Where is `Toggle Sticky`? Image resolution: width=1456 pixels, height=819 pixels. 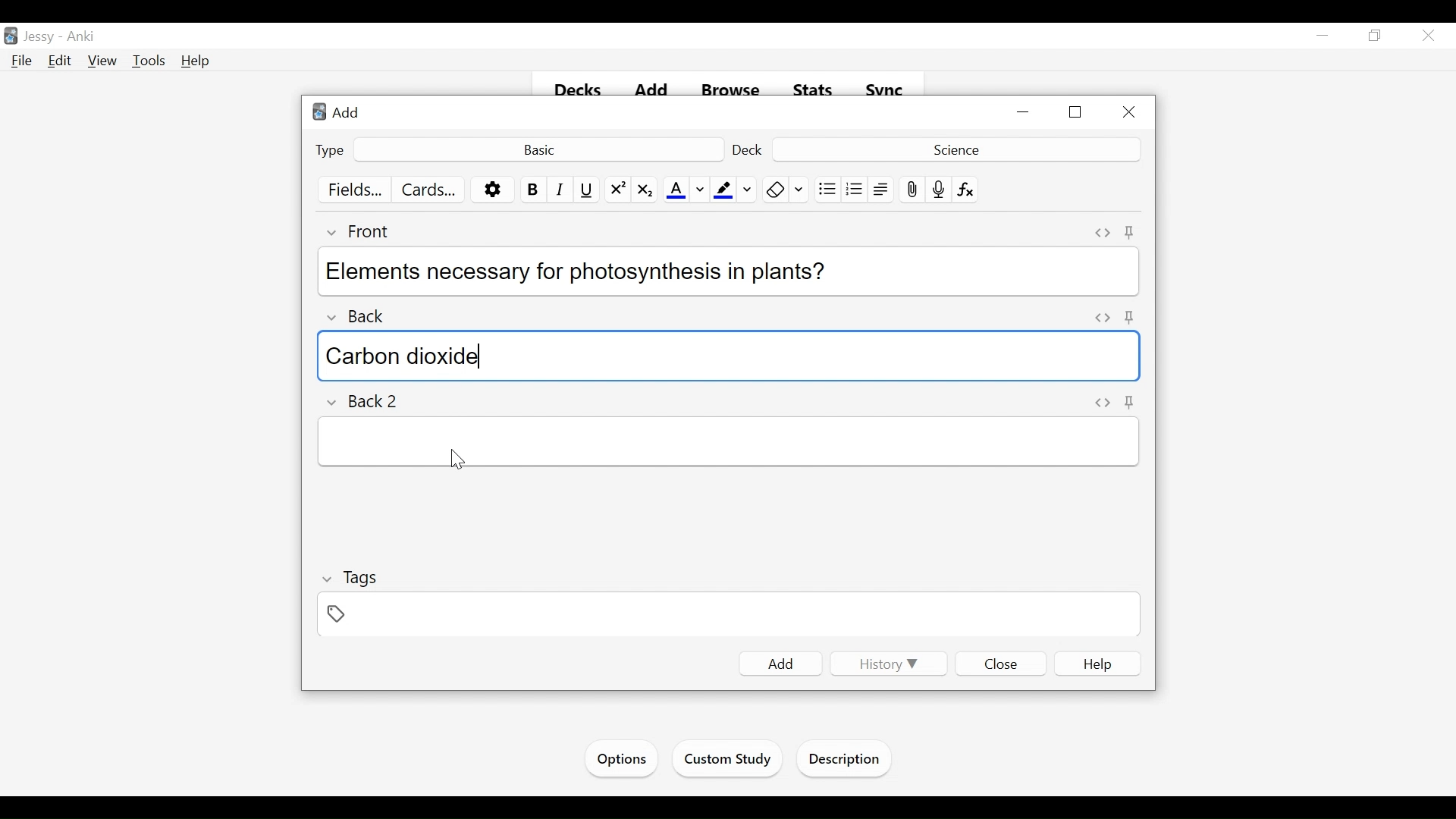 Toggle Sticky is located at coordinates (1131, 402).